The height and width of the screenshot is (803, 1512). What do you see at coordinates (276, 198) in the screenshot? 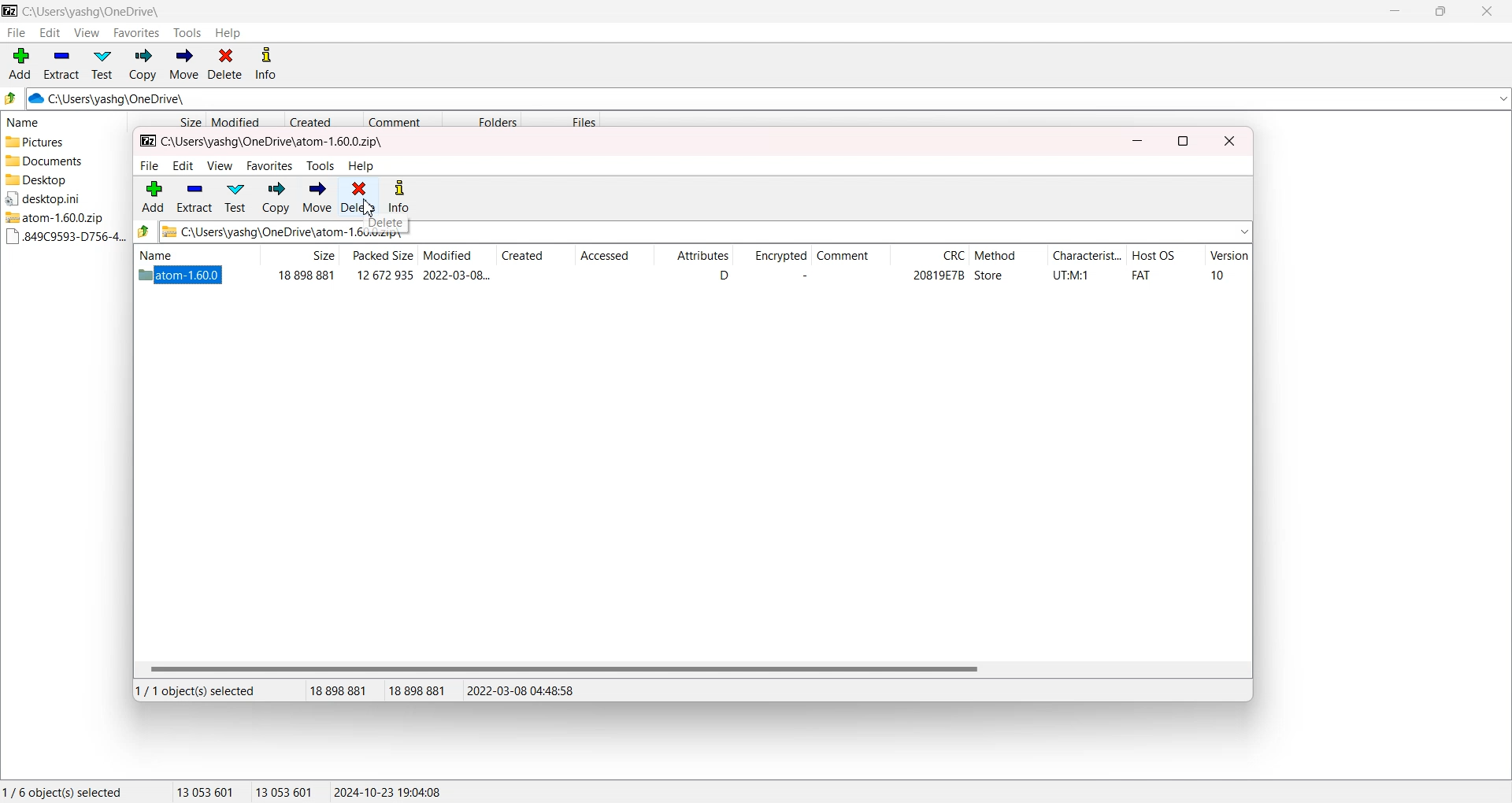
I see `copy` at bounding box center [276, 198].